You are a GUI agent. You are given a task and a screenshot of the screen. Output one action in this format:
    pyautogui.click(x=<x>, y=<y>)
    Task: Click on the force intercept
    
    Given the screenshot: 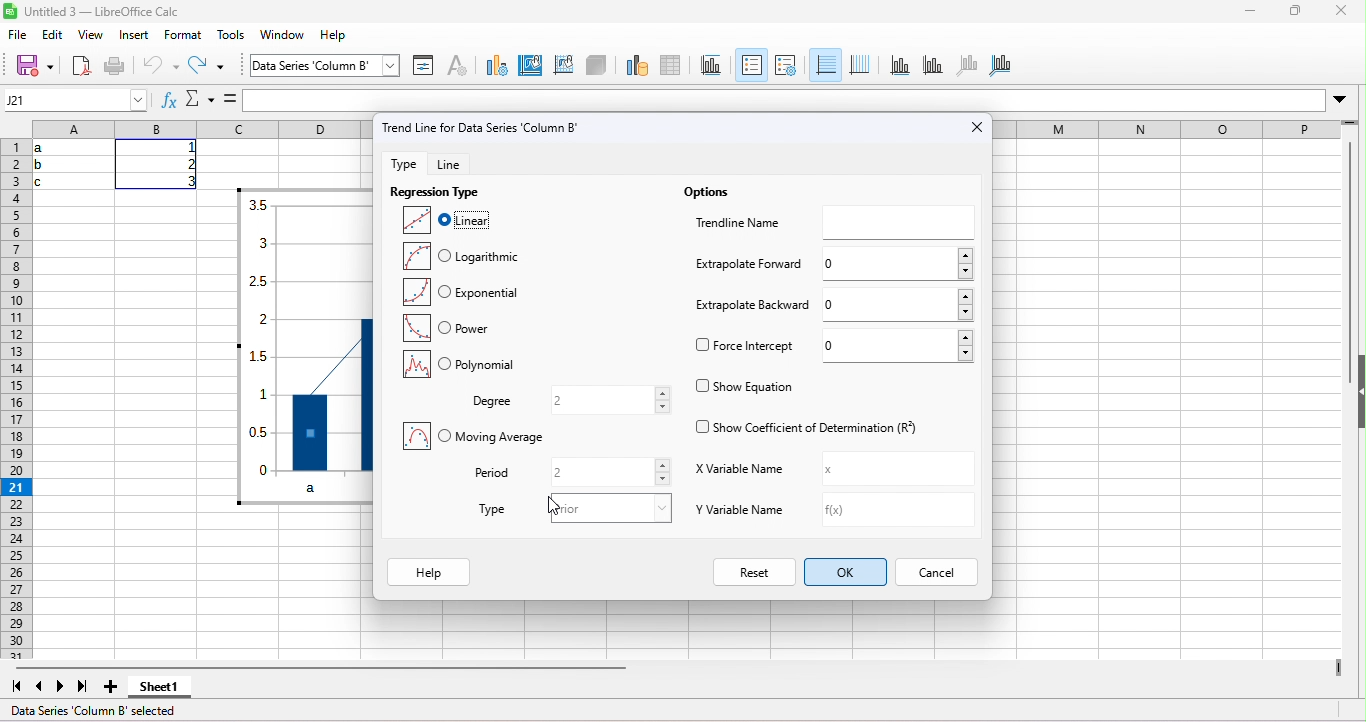 What is the action you would take?
    pyautogui.click(x=745, y=348)
    